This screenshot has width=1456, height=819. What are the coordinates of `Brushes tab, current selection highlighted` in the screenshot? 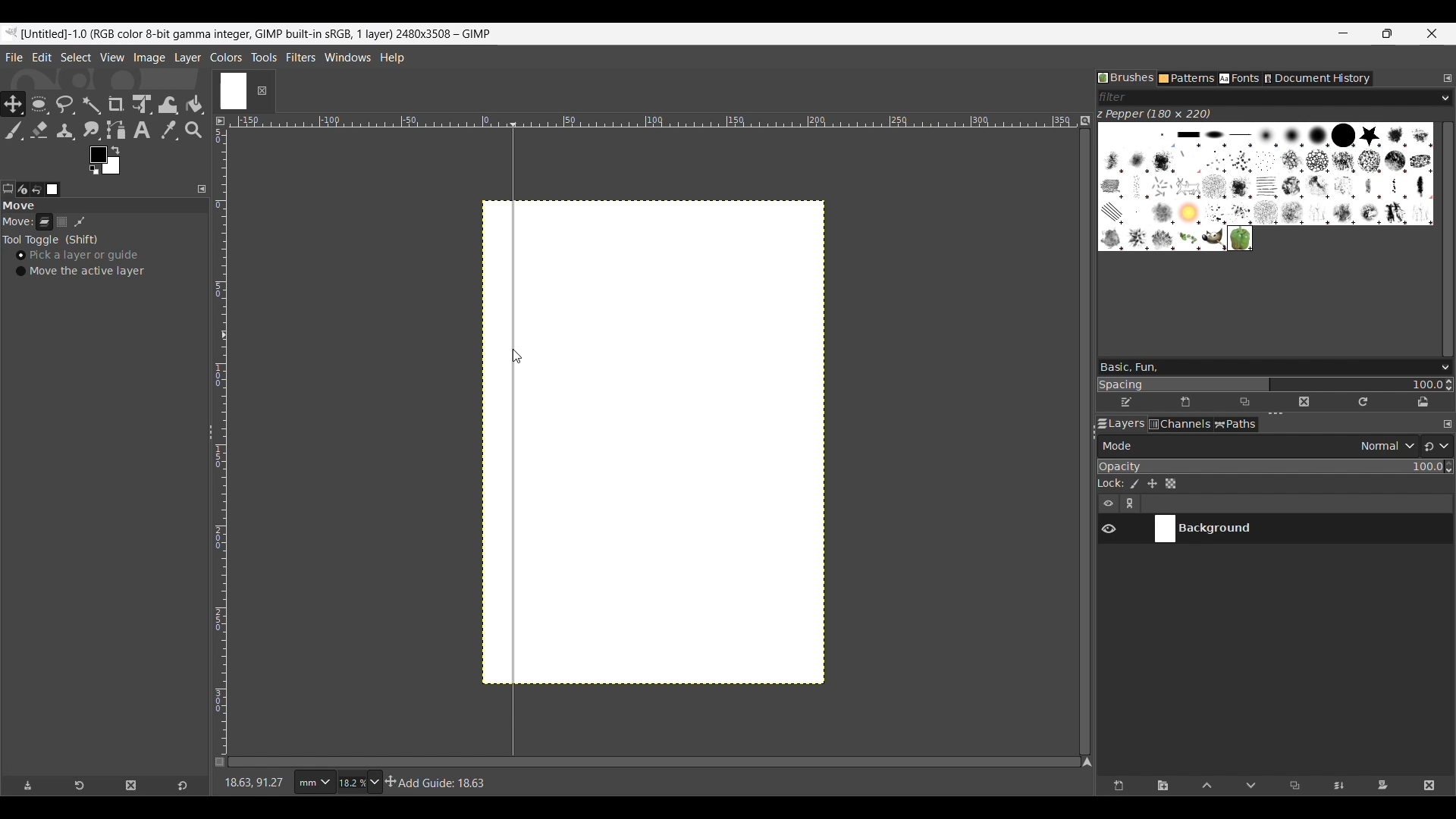 It's located at (1126, 77).